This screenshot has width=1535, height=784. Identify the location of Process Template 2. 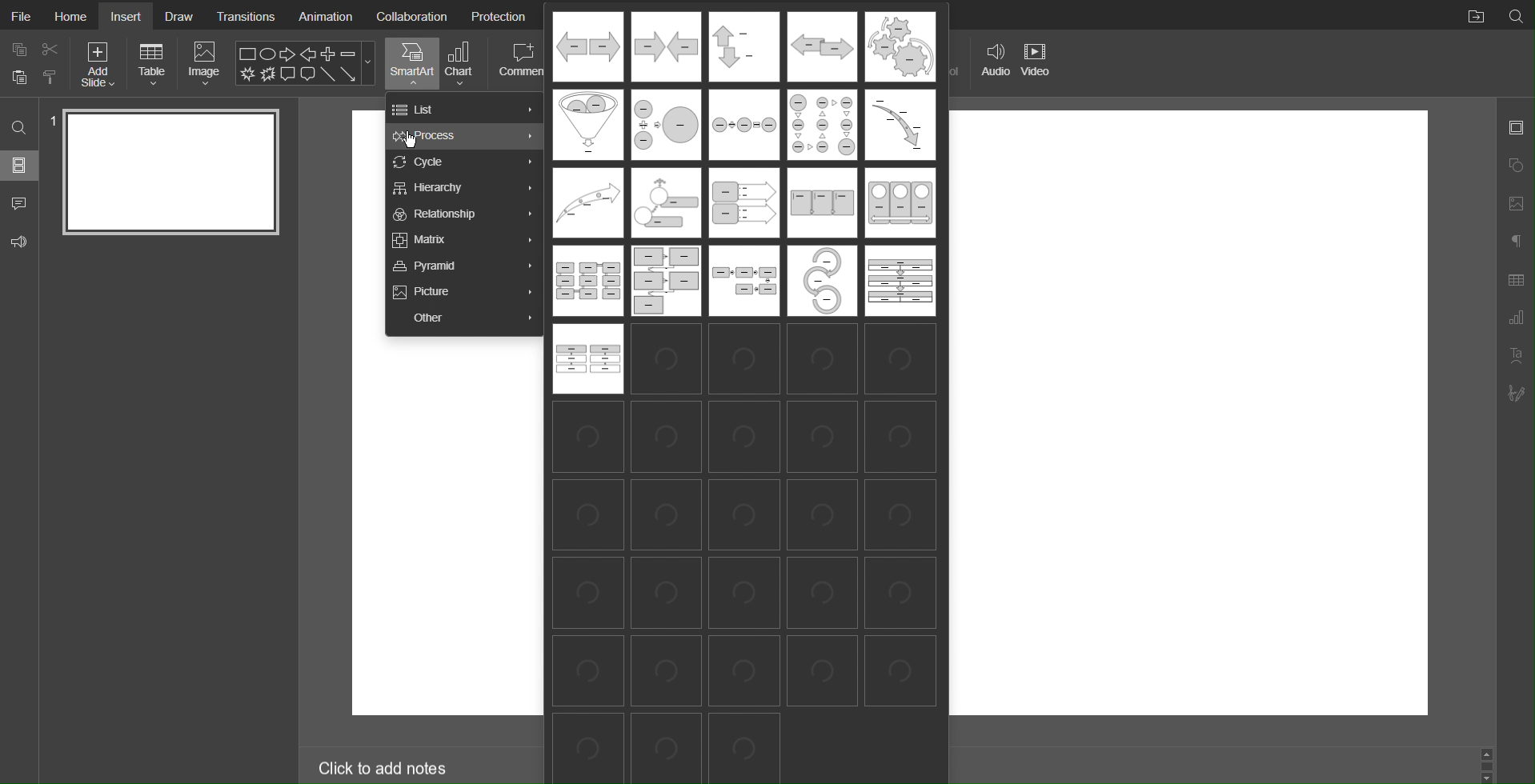
(663, 46).